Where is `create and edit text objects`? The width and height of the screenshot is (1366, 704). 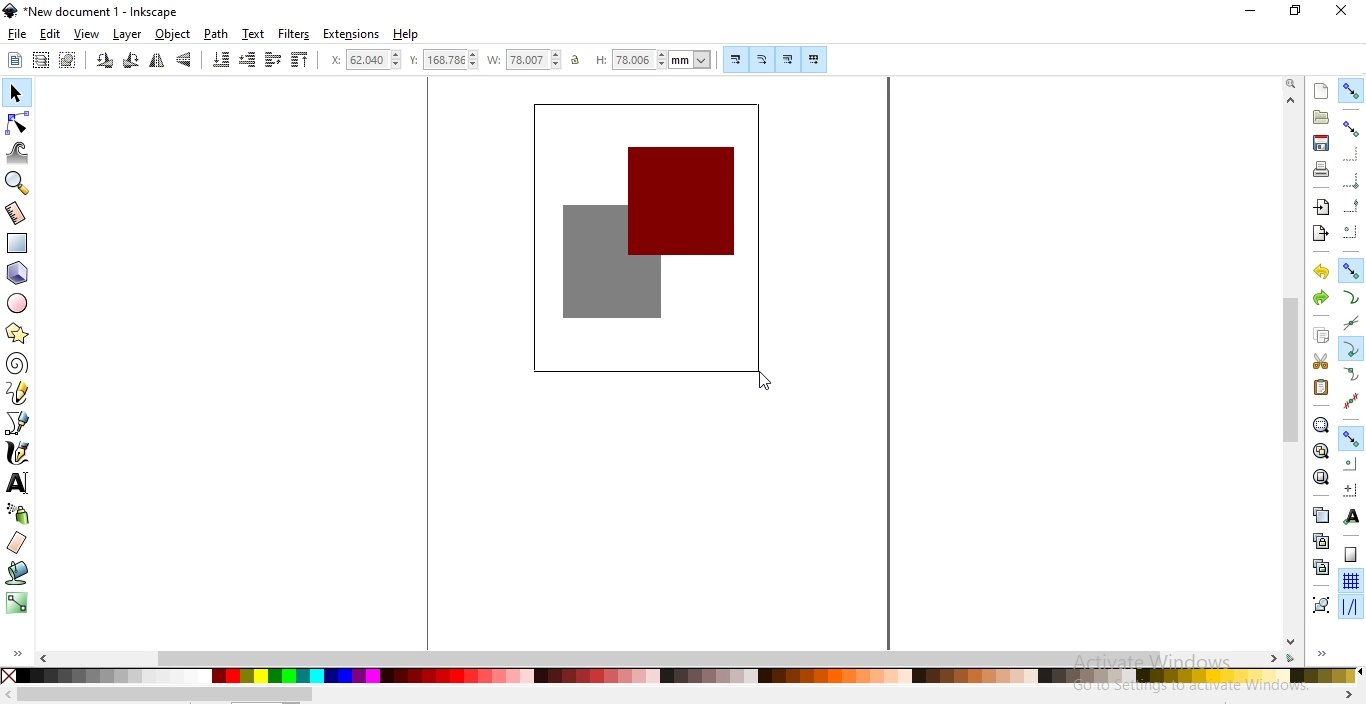 create and edit text objects is located at coordinates (17, 483).